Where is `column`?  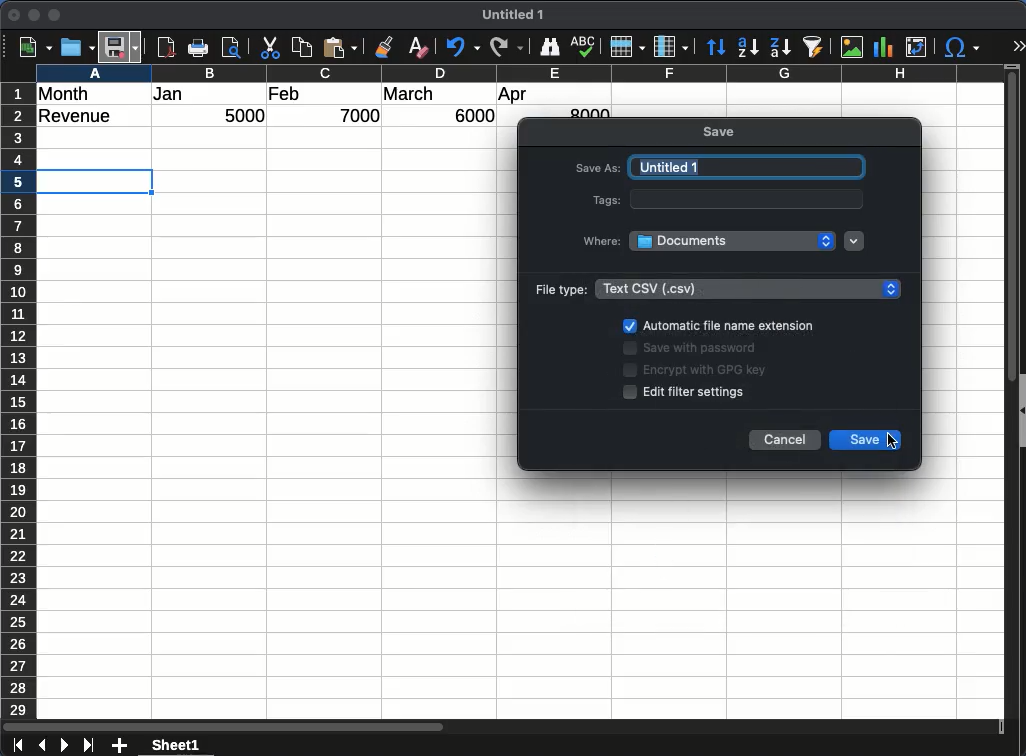
column is located at coordinates (671, 46).